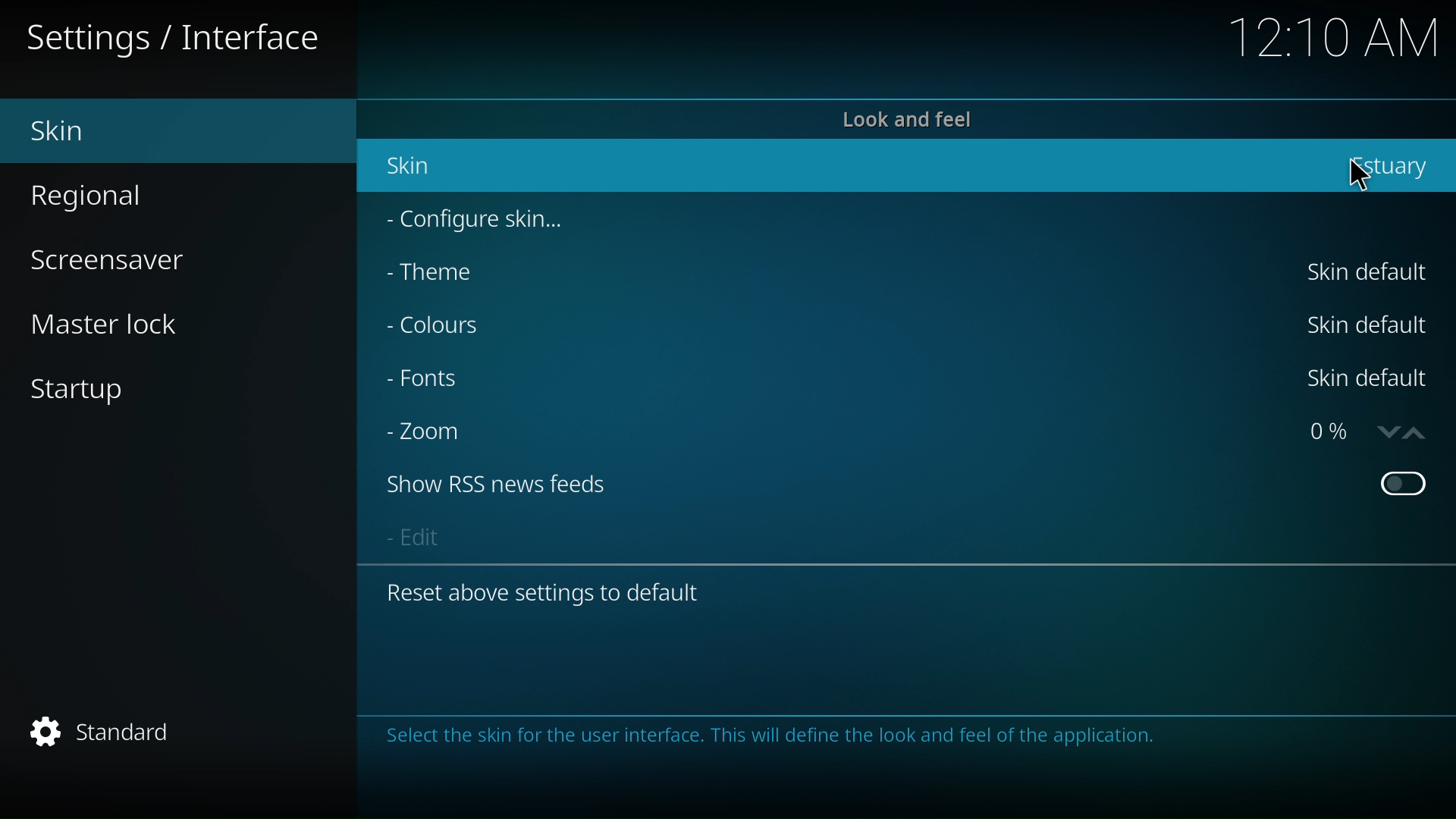 The width and height of the screenshot is (1456, 819). Describe the element at coordinates (1401, 482) in the screenshot. I see `on/off` at that location.